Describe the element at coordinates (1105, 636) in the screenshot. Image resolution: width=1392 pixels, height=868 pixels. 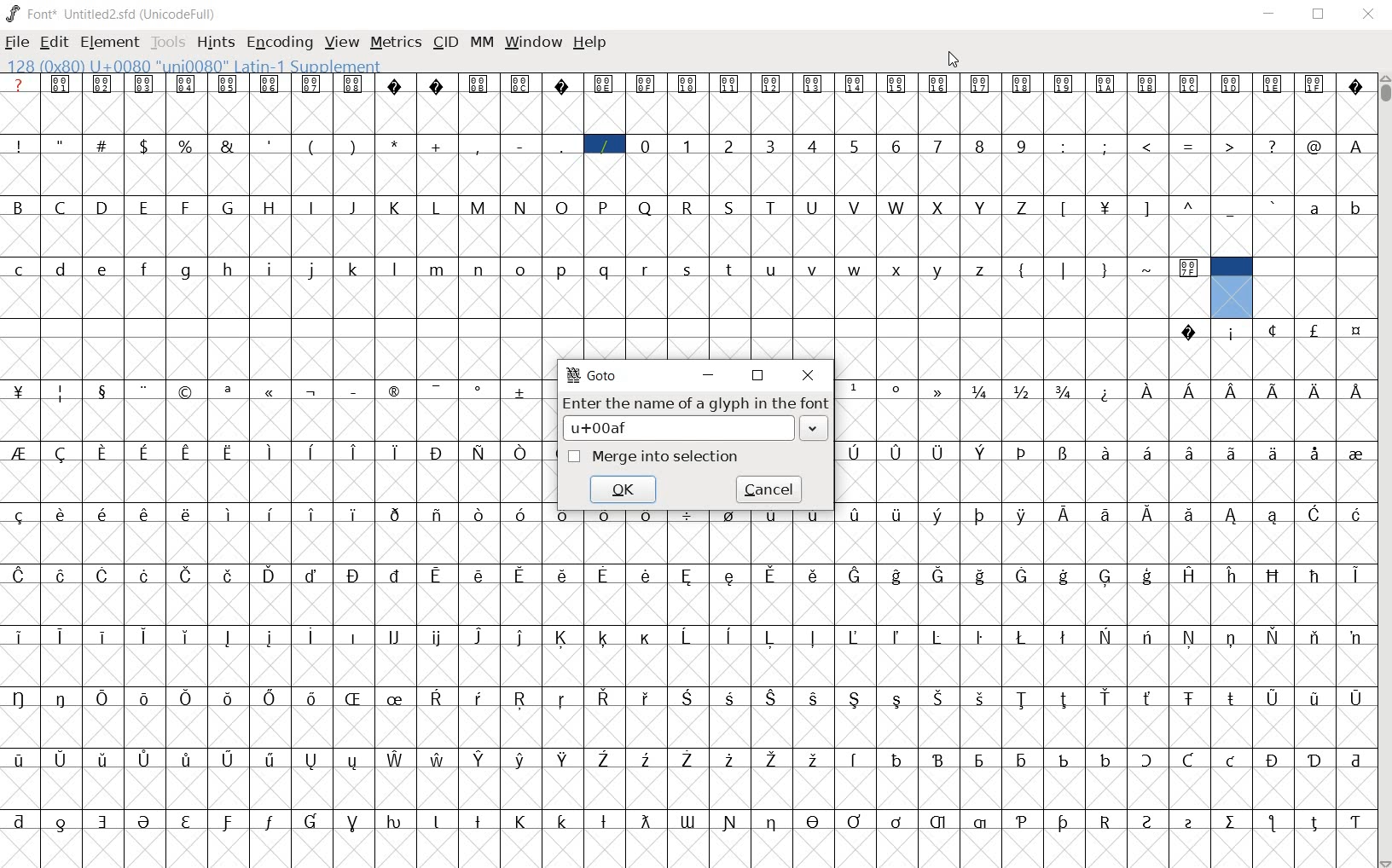
I see `Symbol` at that location.